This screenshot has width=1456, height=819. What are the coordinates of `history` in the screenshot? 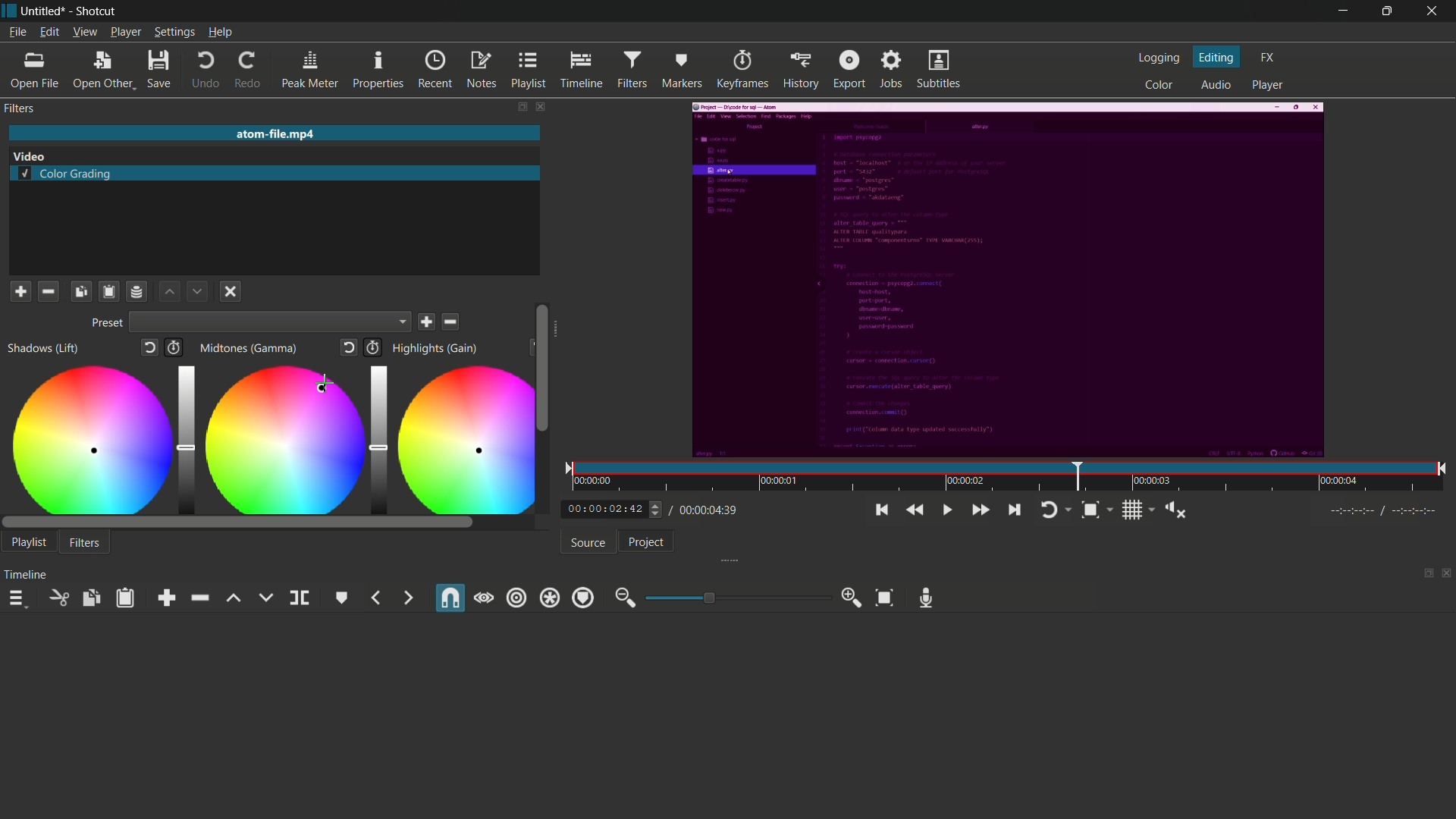 It's located at (800, 69).